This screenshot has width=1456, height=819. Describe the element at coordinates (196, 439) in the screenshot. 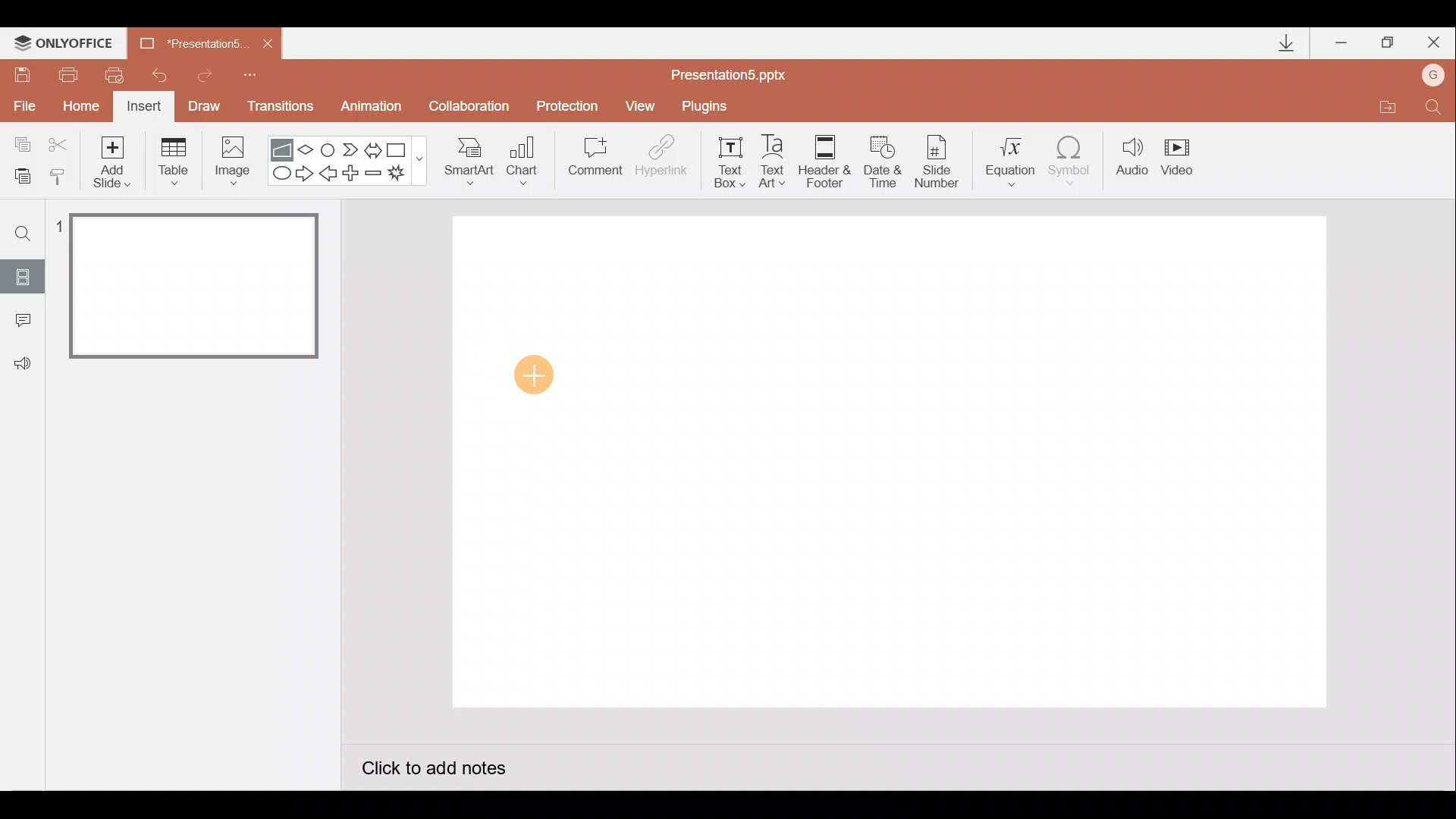

I see `Slide pane` at that location.